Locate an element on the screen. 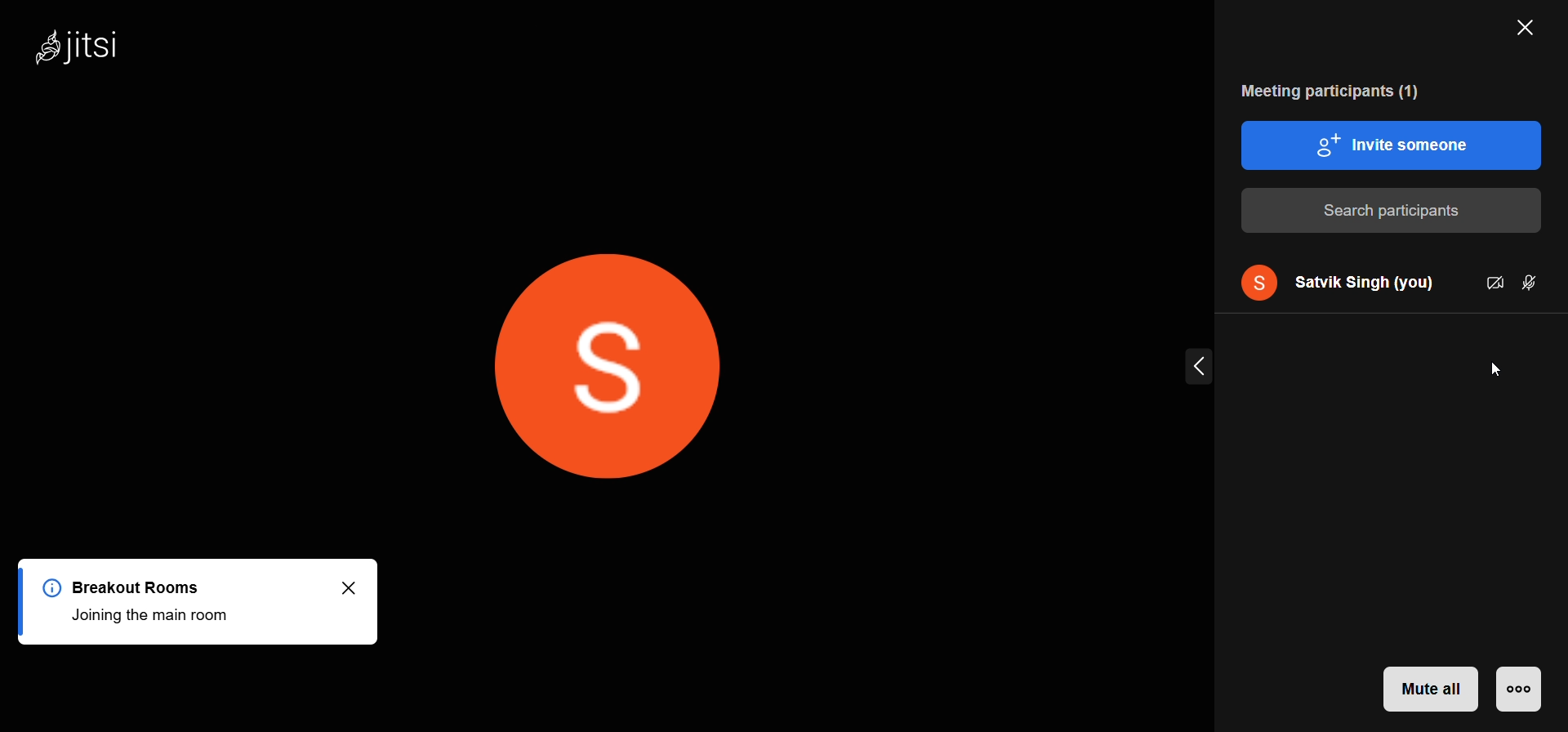  mic is located at coordinates (1529, 286).